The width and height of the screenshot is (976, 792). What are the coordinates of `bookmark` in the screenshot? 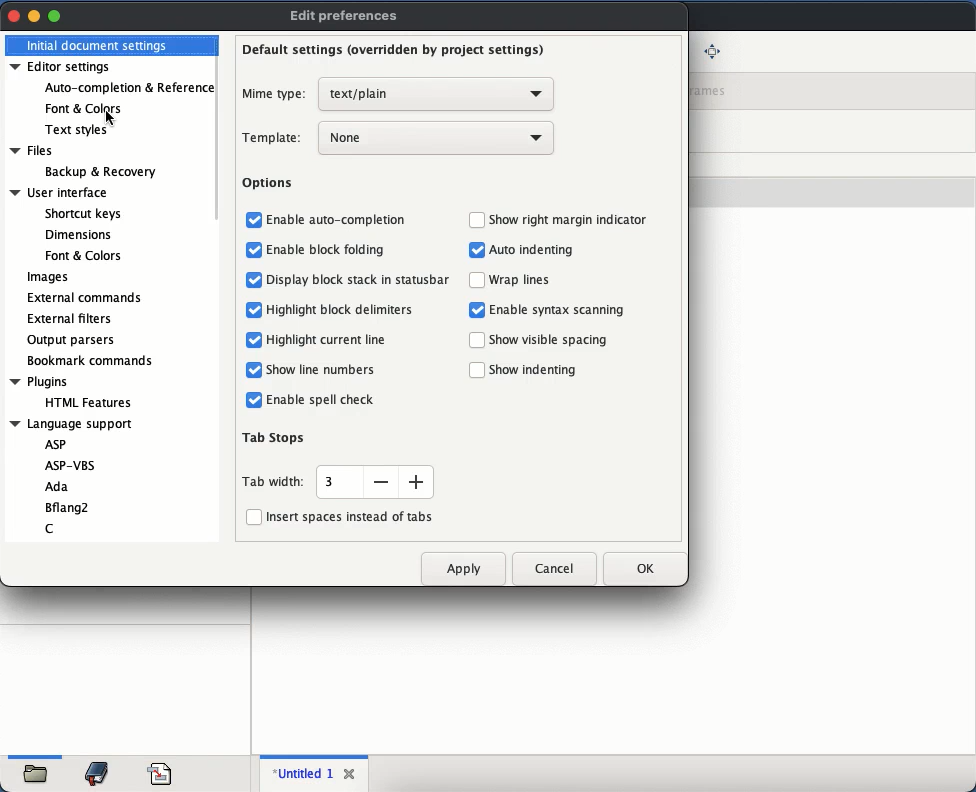 It's located at (99, 772).